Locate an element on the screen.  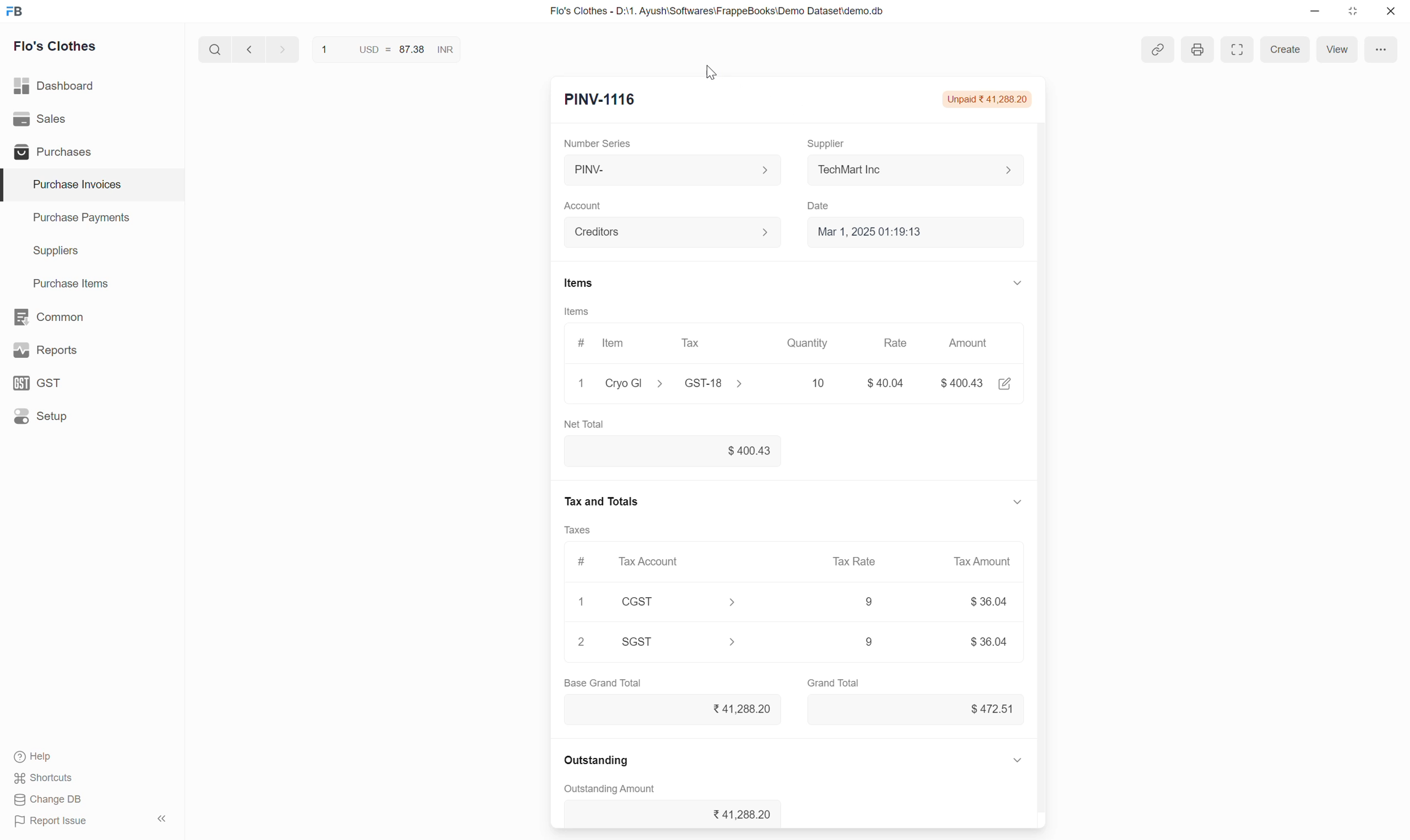
9 is located at coordinates (866, 599).